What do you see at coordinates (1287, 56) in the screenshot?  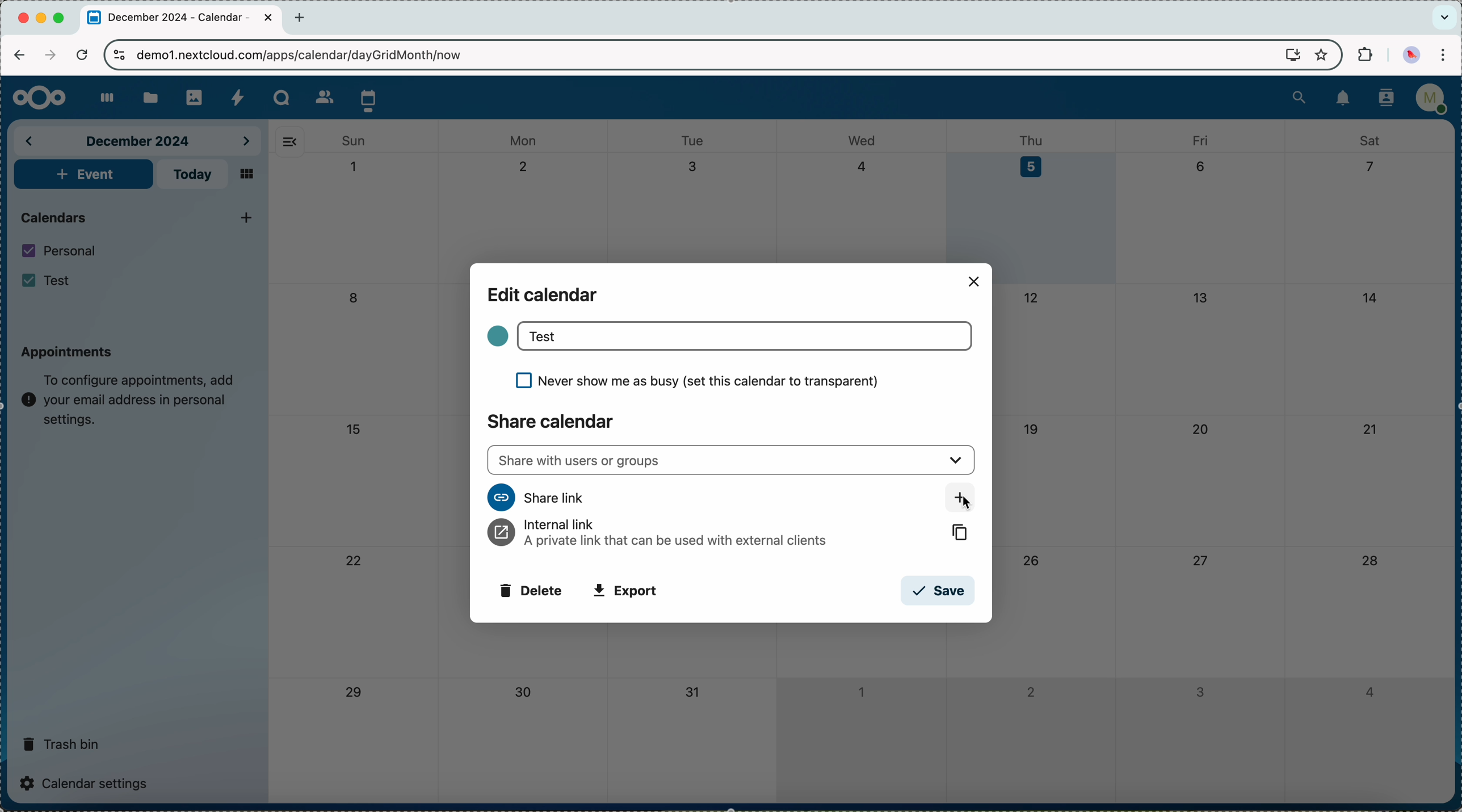 I see `screen` at bounding box center [1287, 56].